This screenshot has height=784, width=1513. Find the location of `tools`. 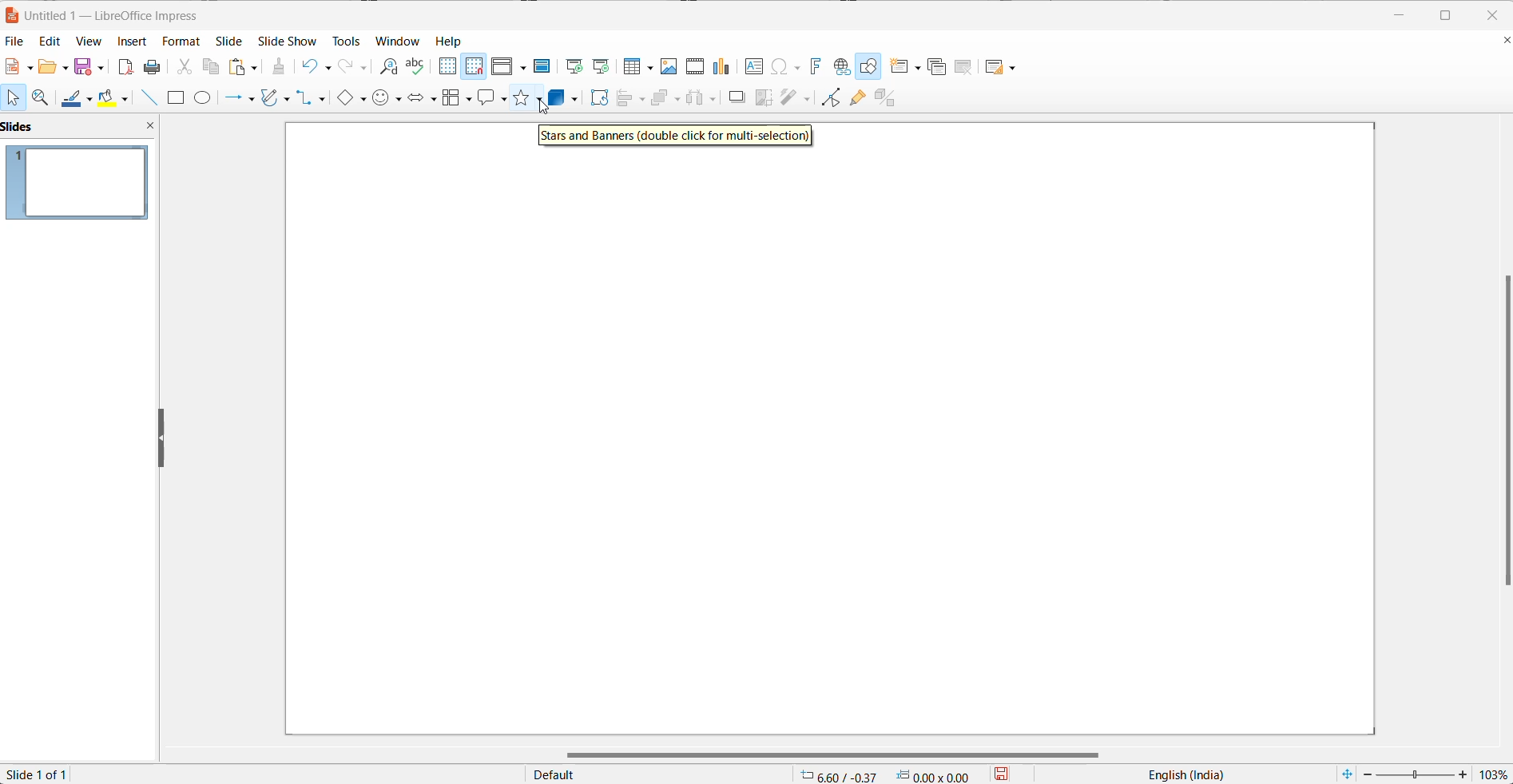

tools is located at coordinates (344, 39).